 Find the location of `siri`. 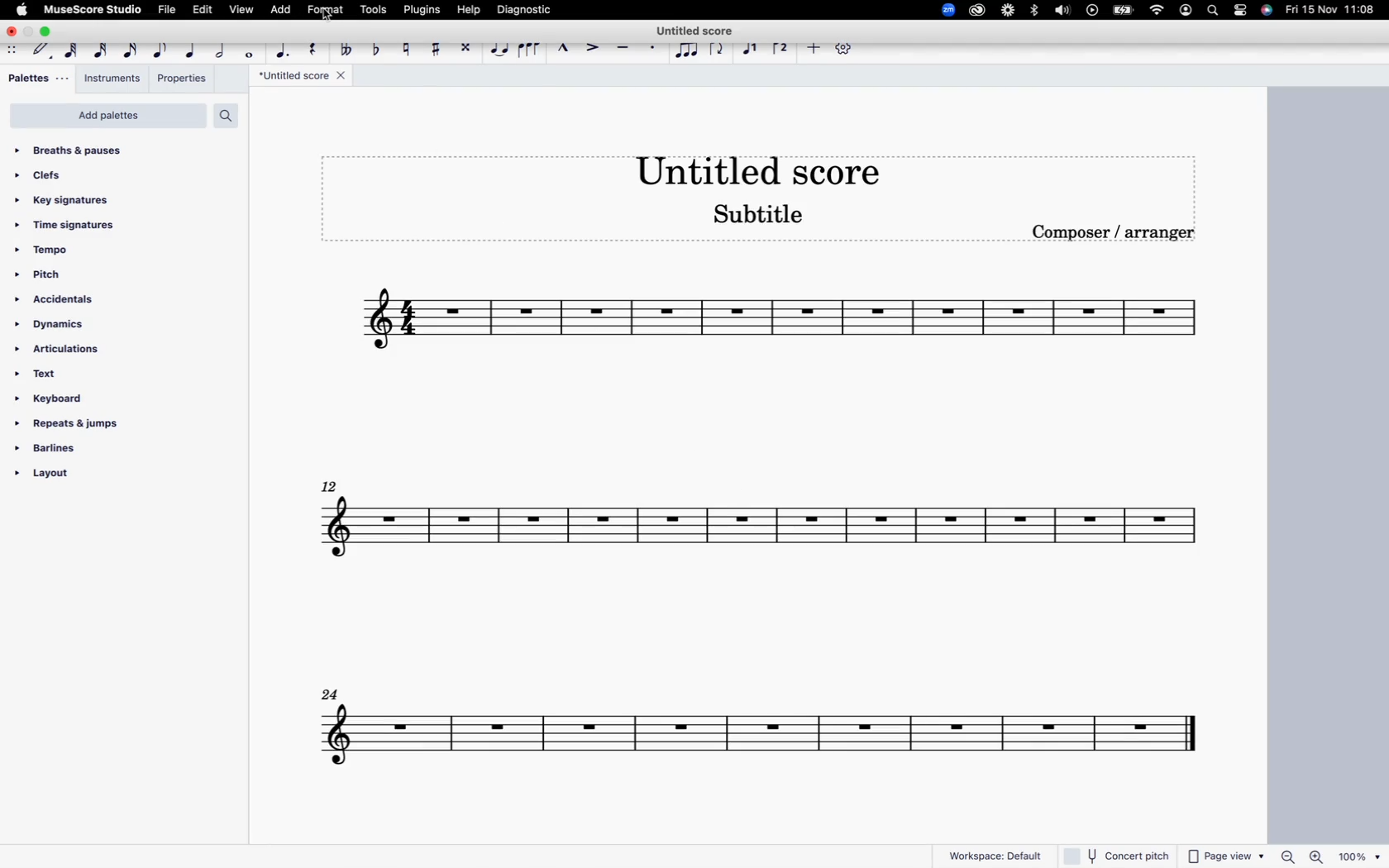

siri is located at coordinates (1267, 12).